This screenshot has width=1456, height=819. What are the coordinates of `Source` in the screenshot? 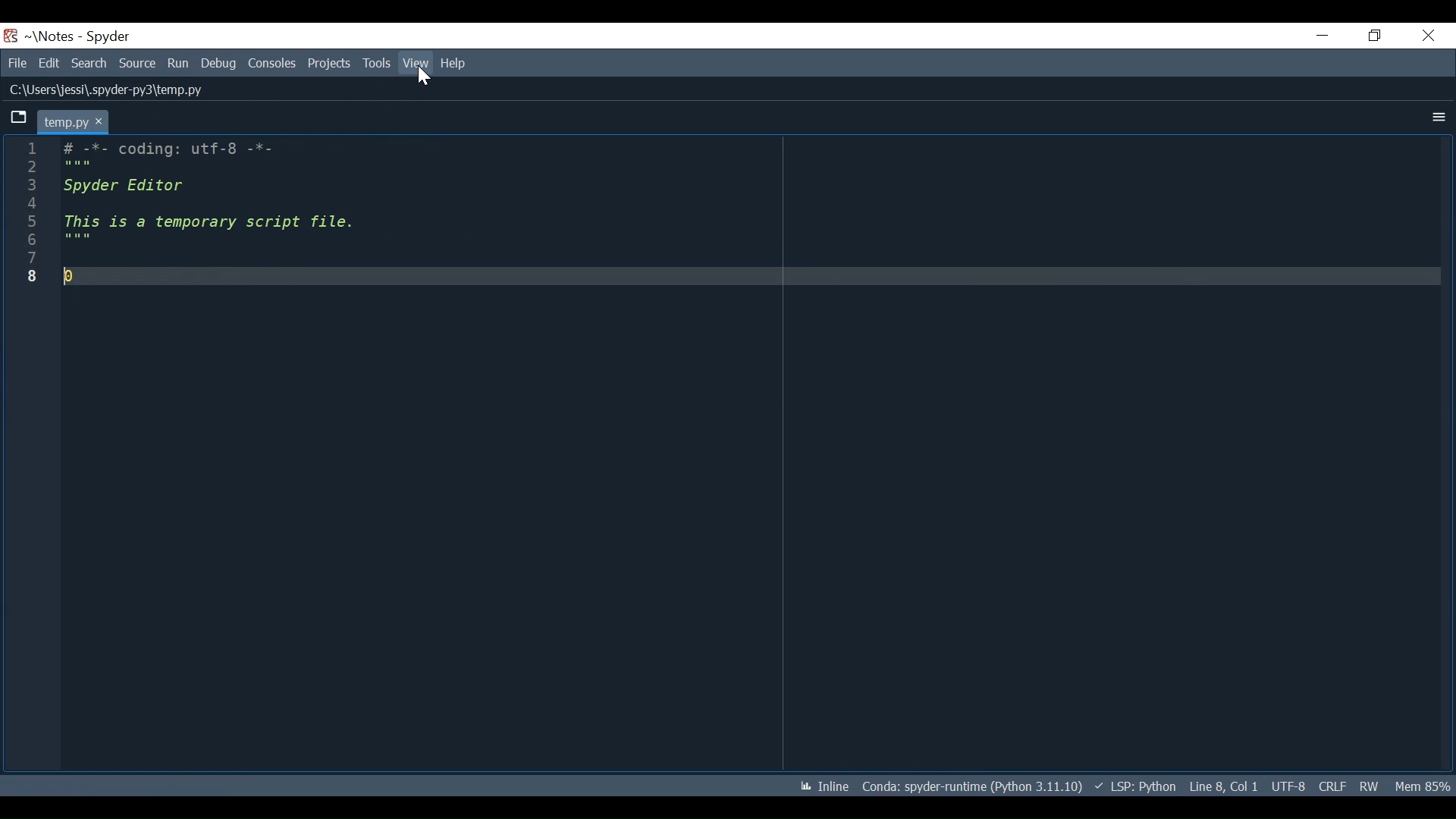 It's located at (137, 64).